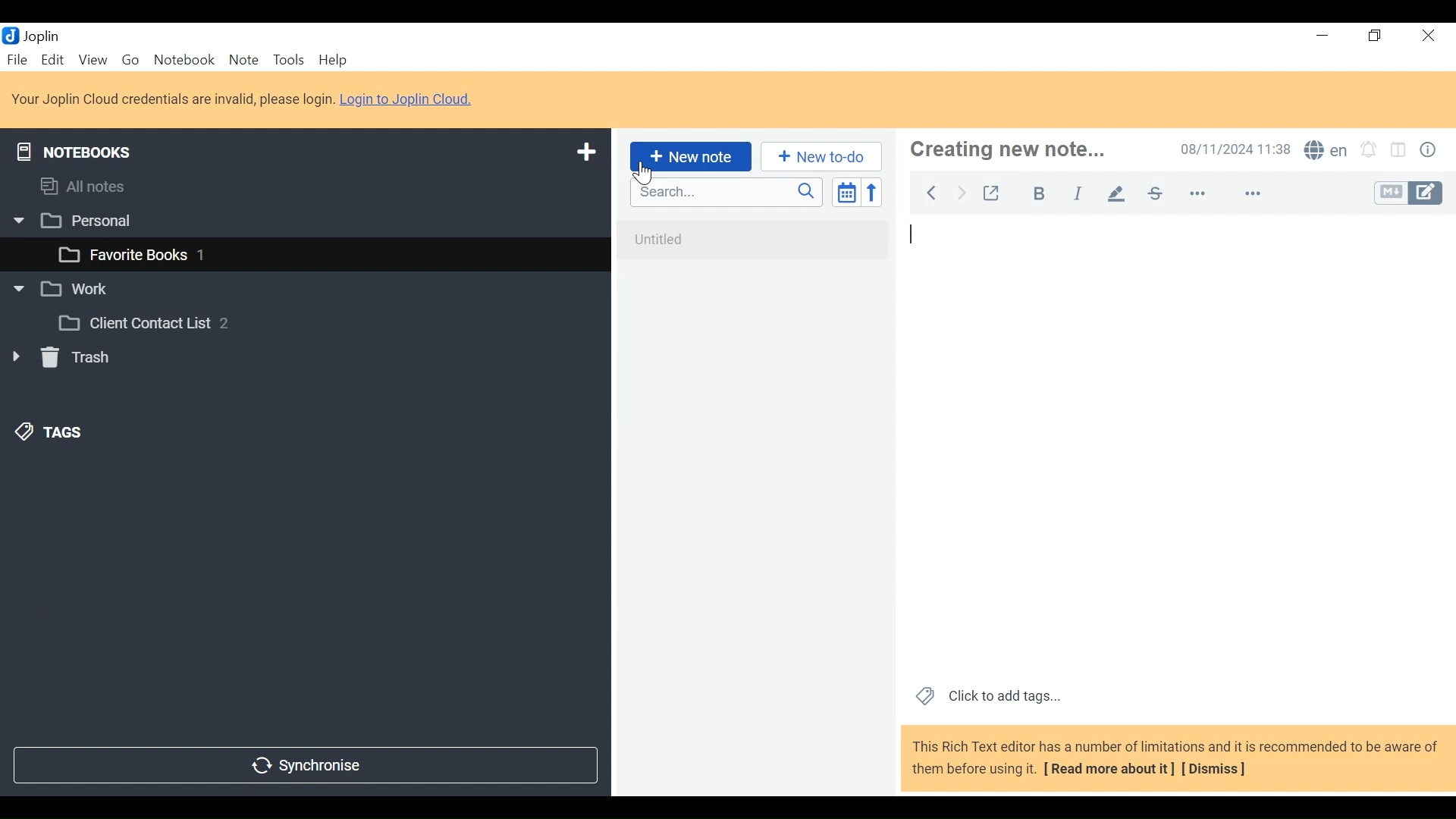 The height and width of the screenshot is (819, 1456). I want to click on minimize, so click(1323, 36).